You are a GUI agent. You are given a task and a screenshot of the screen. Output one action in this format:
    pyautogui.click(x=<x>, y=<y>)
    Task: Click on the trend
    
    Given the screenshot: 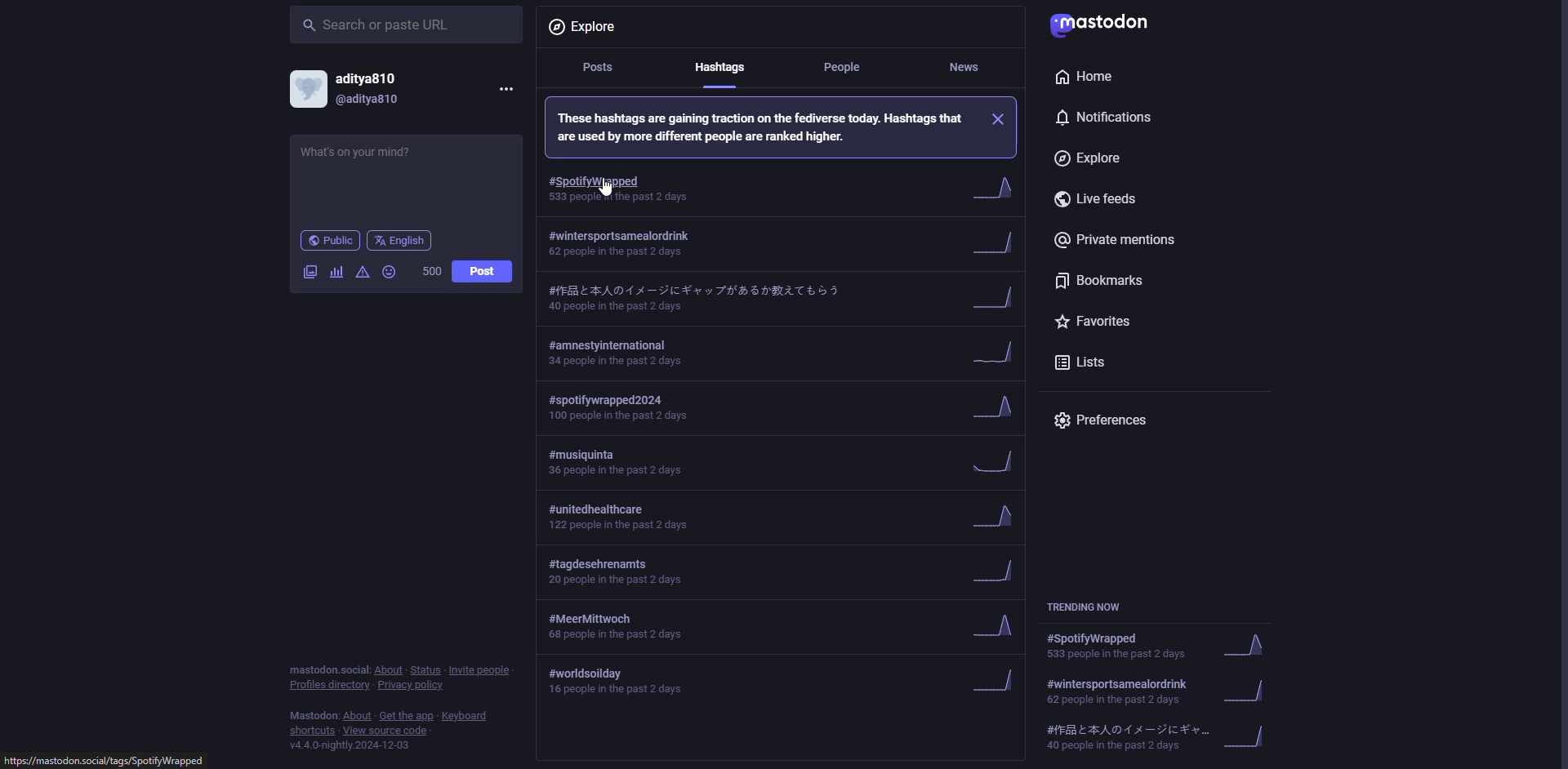 What is the action you would take?
    pyautogui.click(x=987, y=409)
    